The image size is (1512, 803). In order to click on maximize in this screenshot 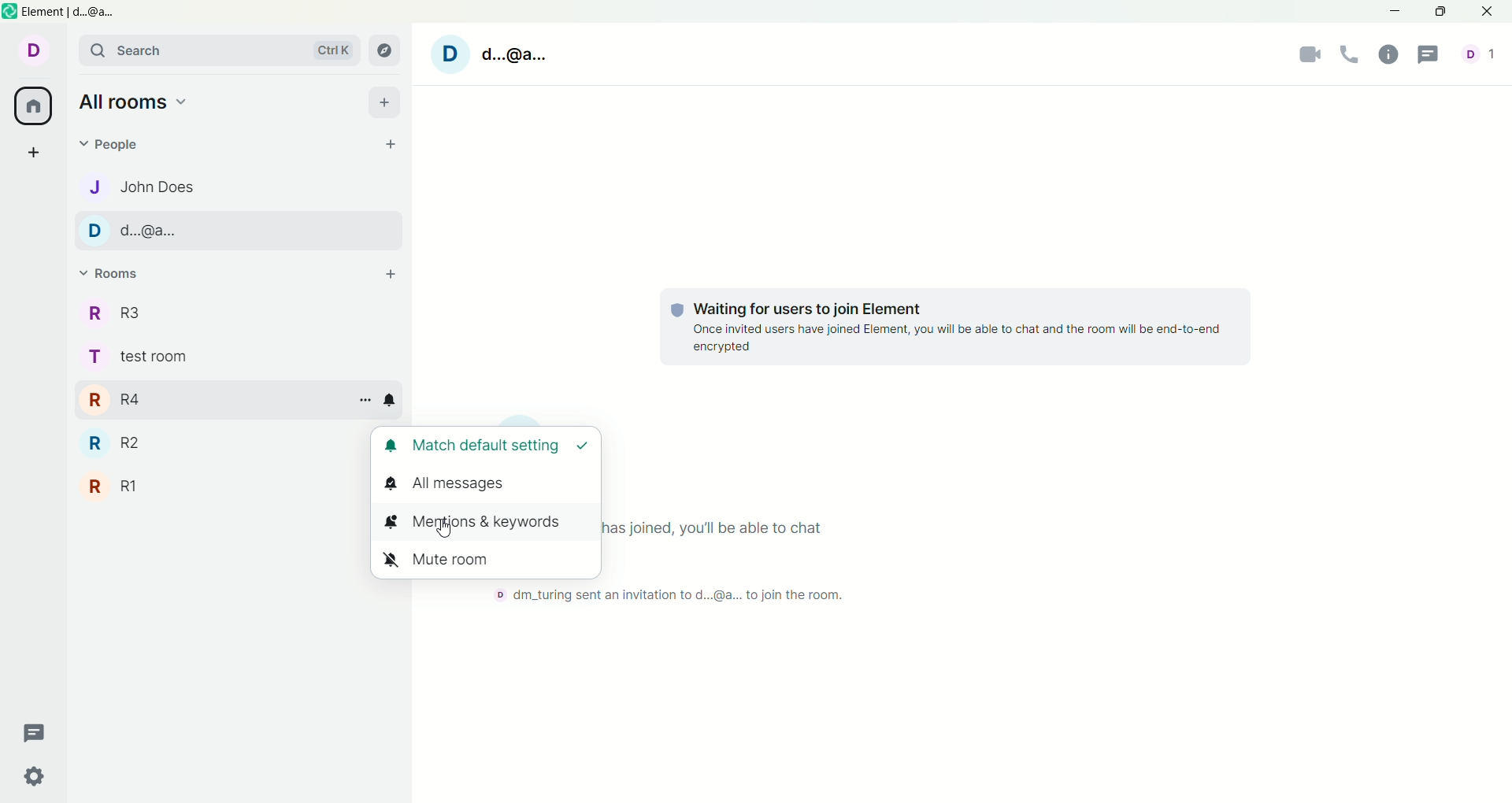, I will do `click(1442, 13)`.